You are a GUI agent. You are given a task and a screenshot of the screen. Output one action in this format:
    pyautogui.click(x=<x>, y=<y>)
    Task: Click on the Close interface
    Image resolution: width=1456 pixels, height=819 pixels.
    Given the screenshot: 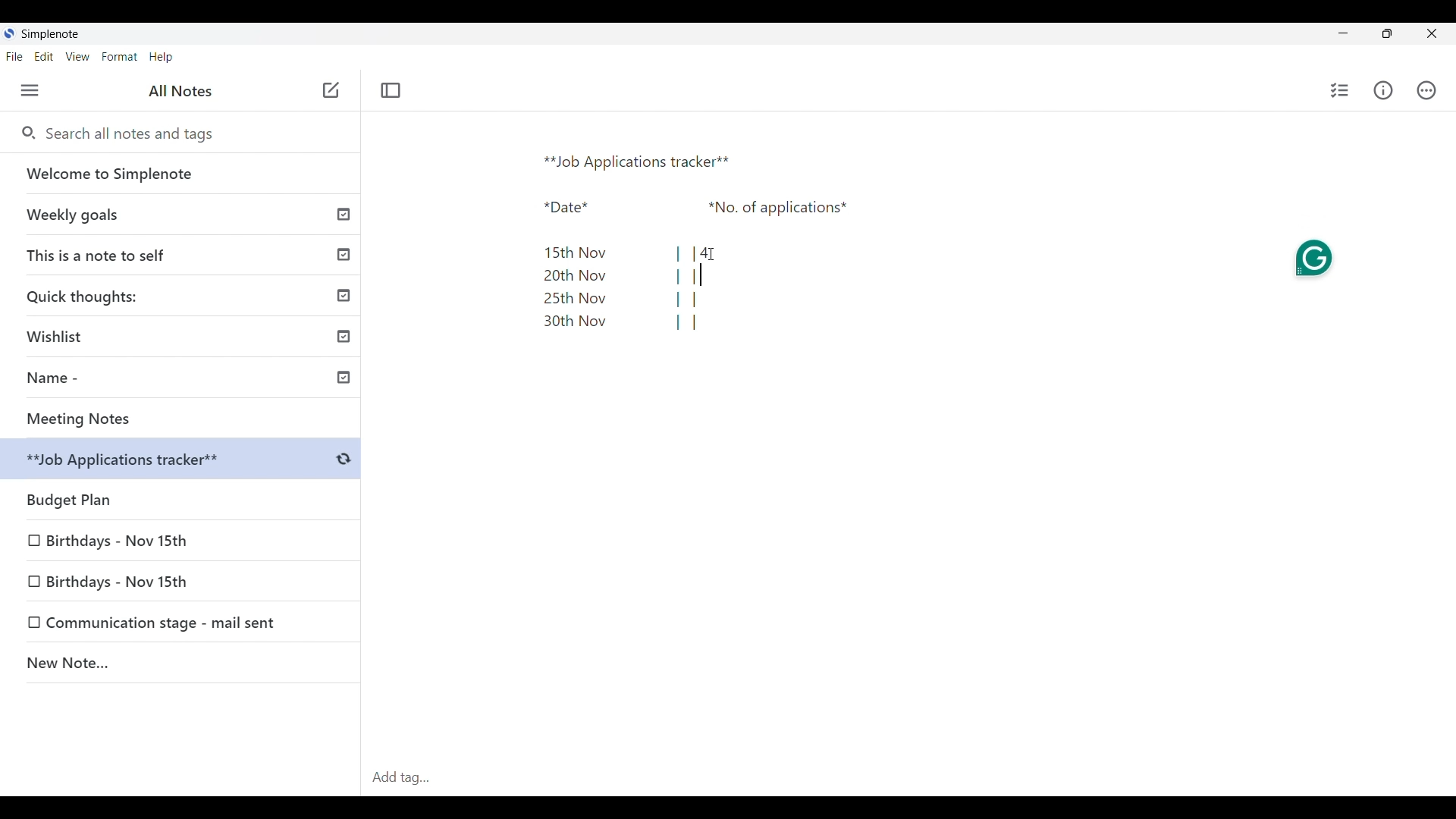 What is the action you would take?
    pyautogui.click(x=1432, y=33)
    